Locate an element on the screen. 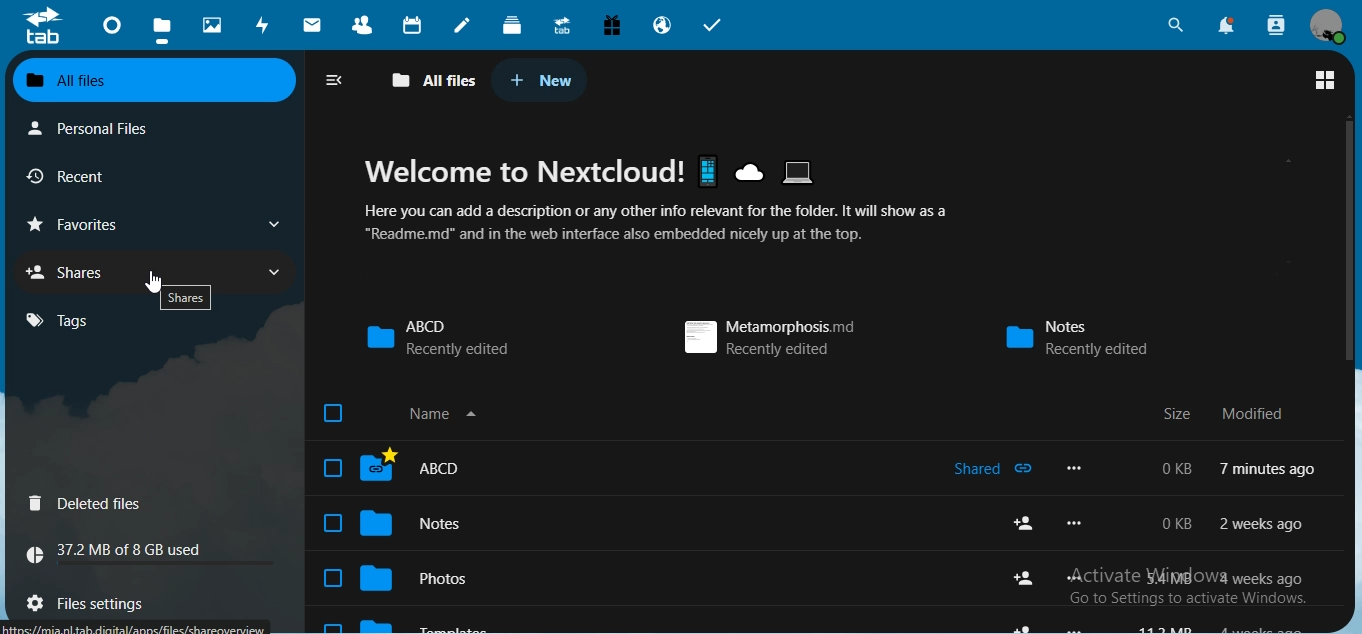 This screenshot has height=634, width=1362. link is located at coordinates (135, 627).